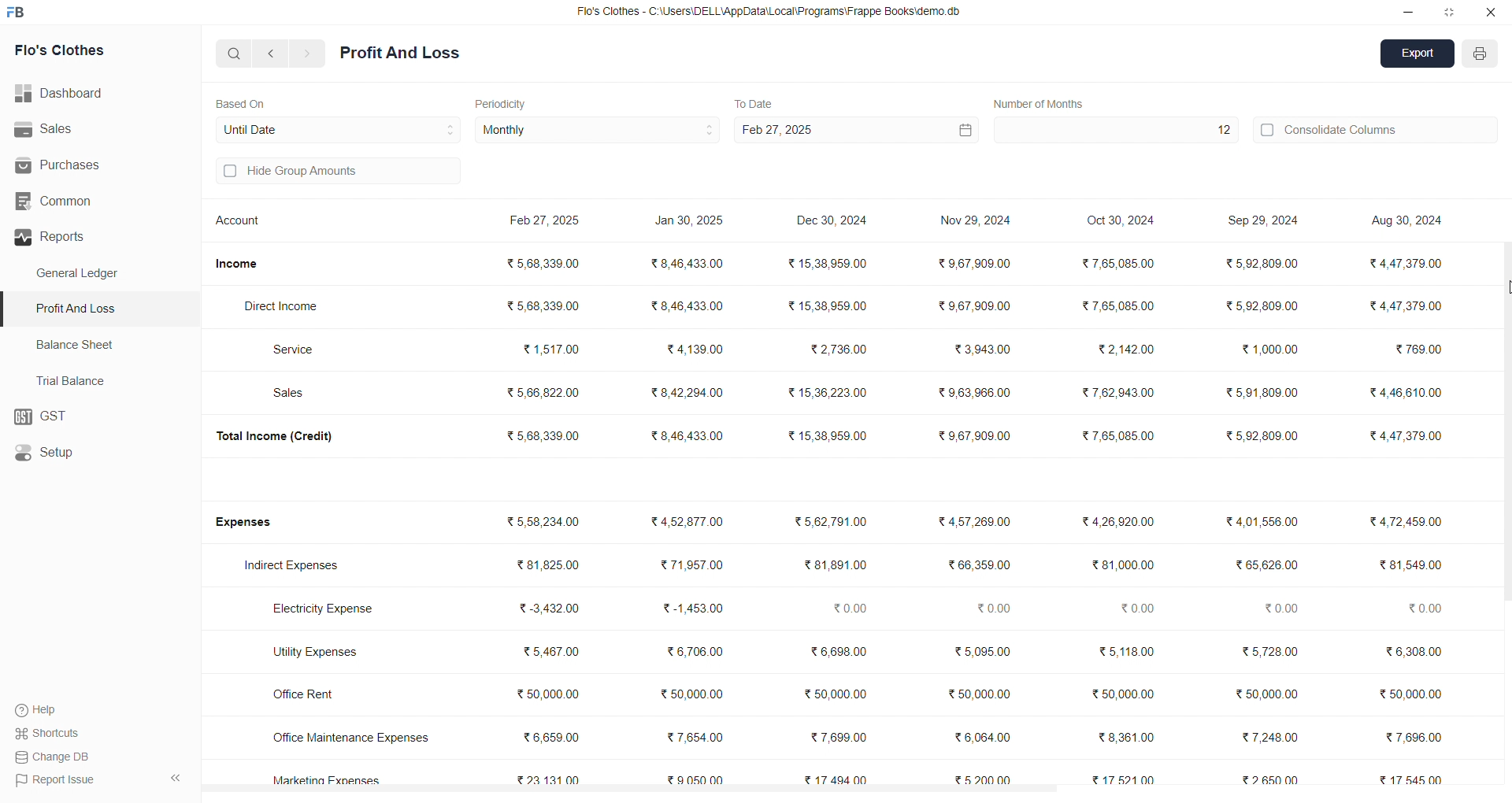  What do you see at coordinates (548, 565) in the screenshot?
I see `₹ 81,825.00` at bounding box center [548, 565].